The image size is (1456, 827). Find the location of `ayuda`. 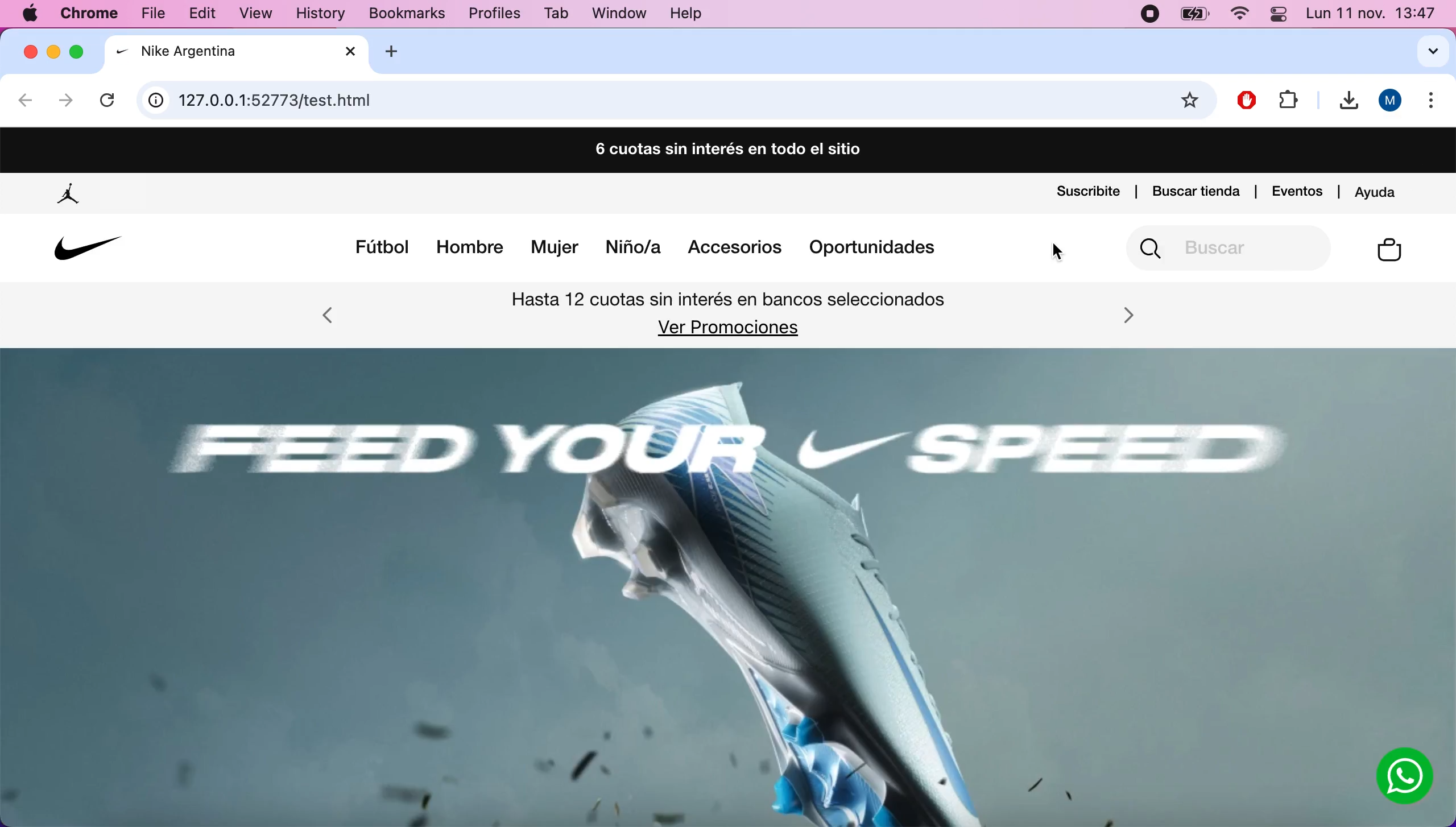

ayuda is located at coordinates (1379, 189).